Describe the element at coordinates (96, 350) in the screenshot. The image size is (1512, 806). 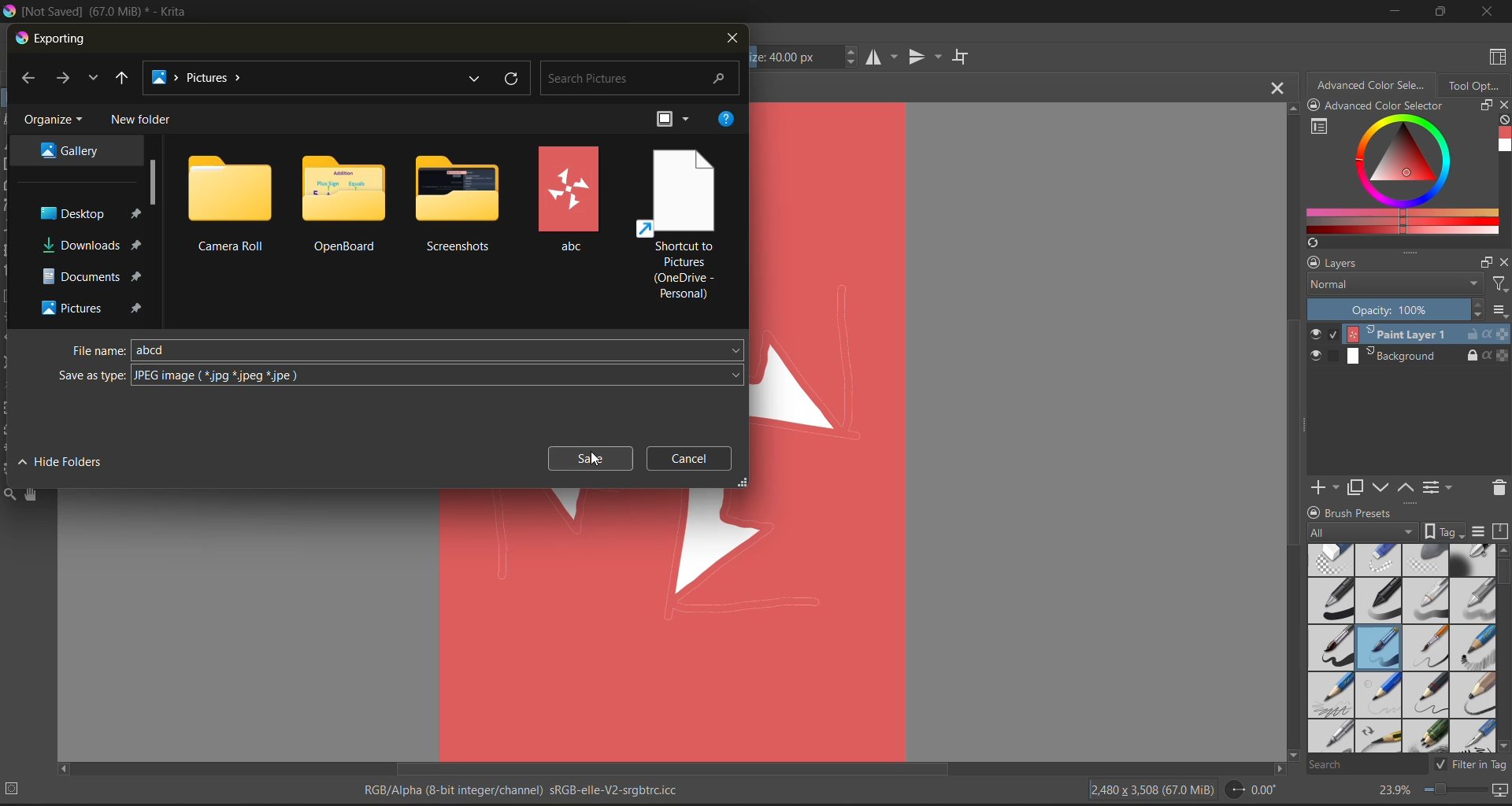
I see `file name` at that location.